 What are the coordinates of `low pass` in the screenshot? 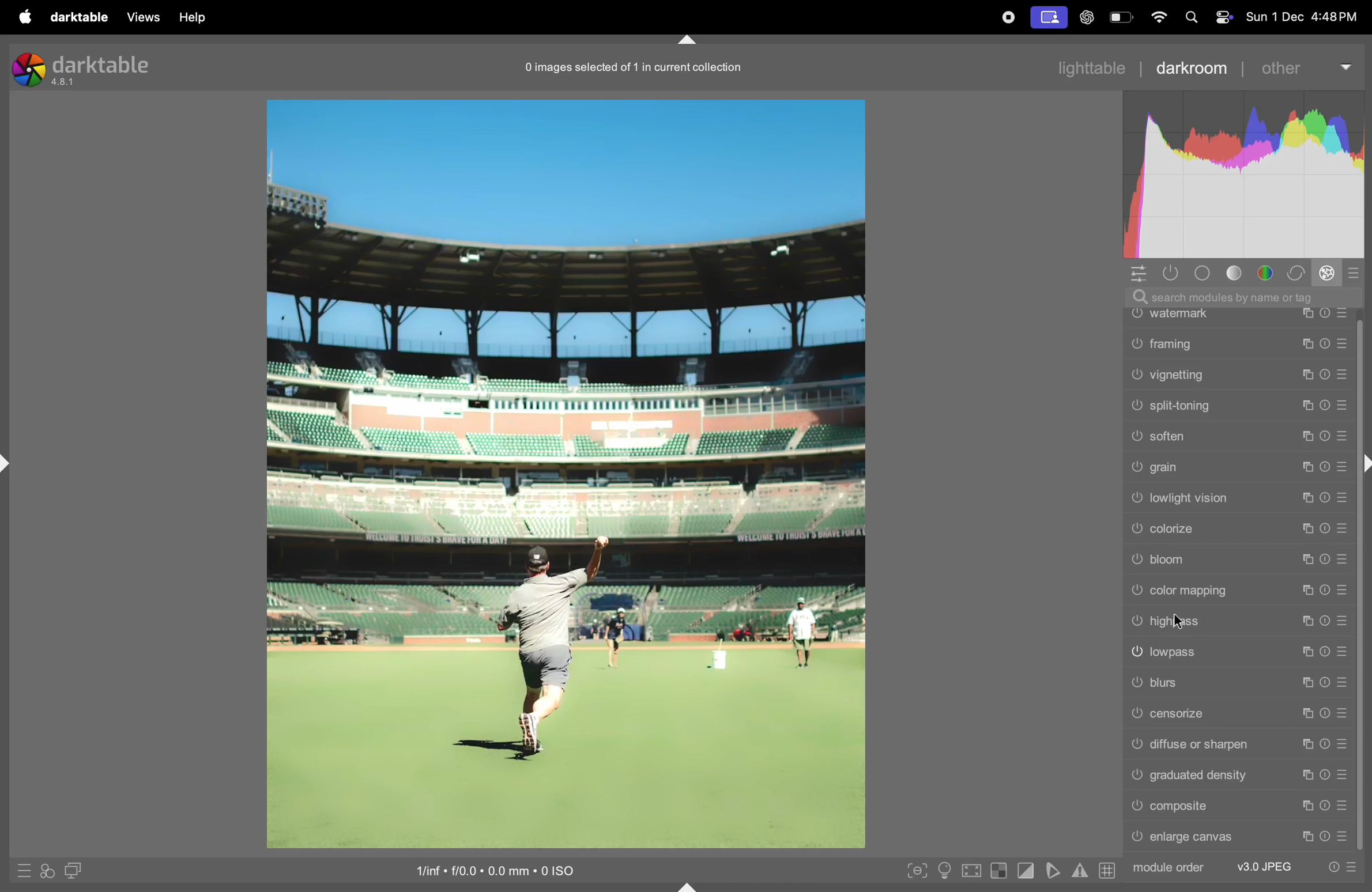 It's located at (1238, 649).